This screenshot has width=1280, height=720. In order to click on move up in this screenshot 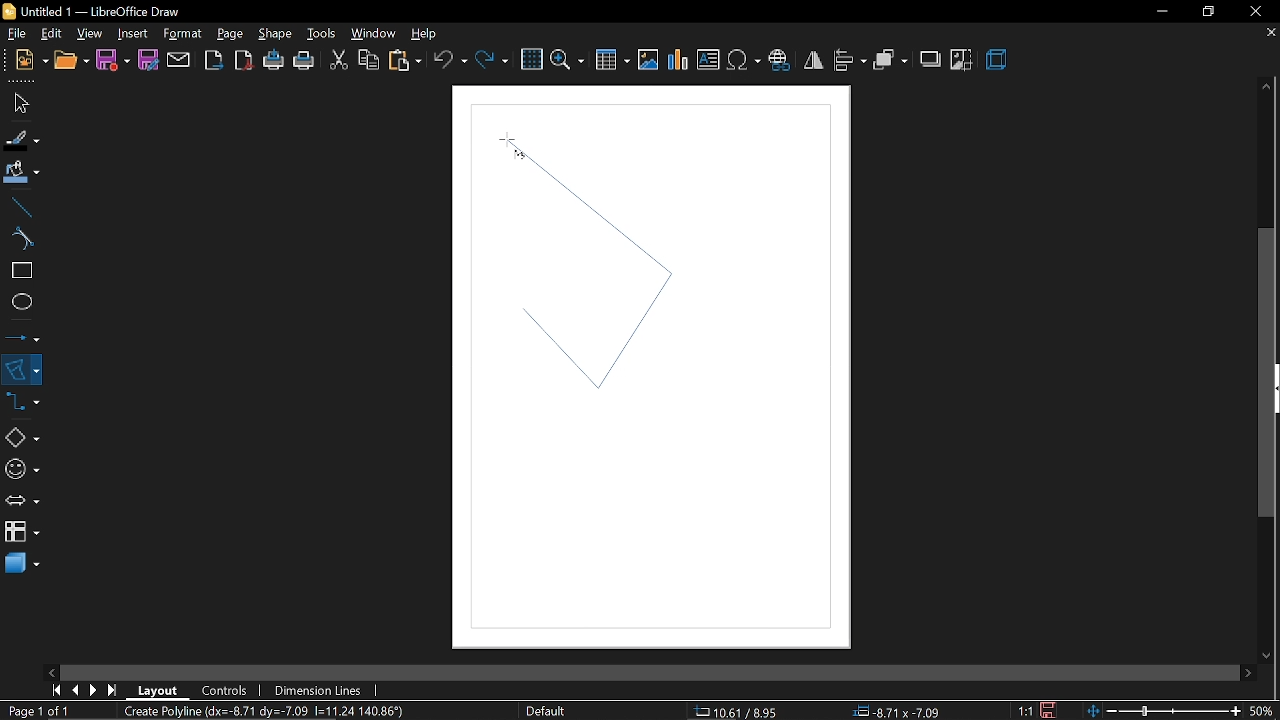, I will do `click(1267, 87)`.